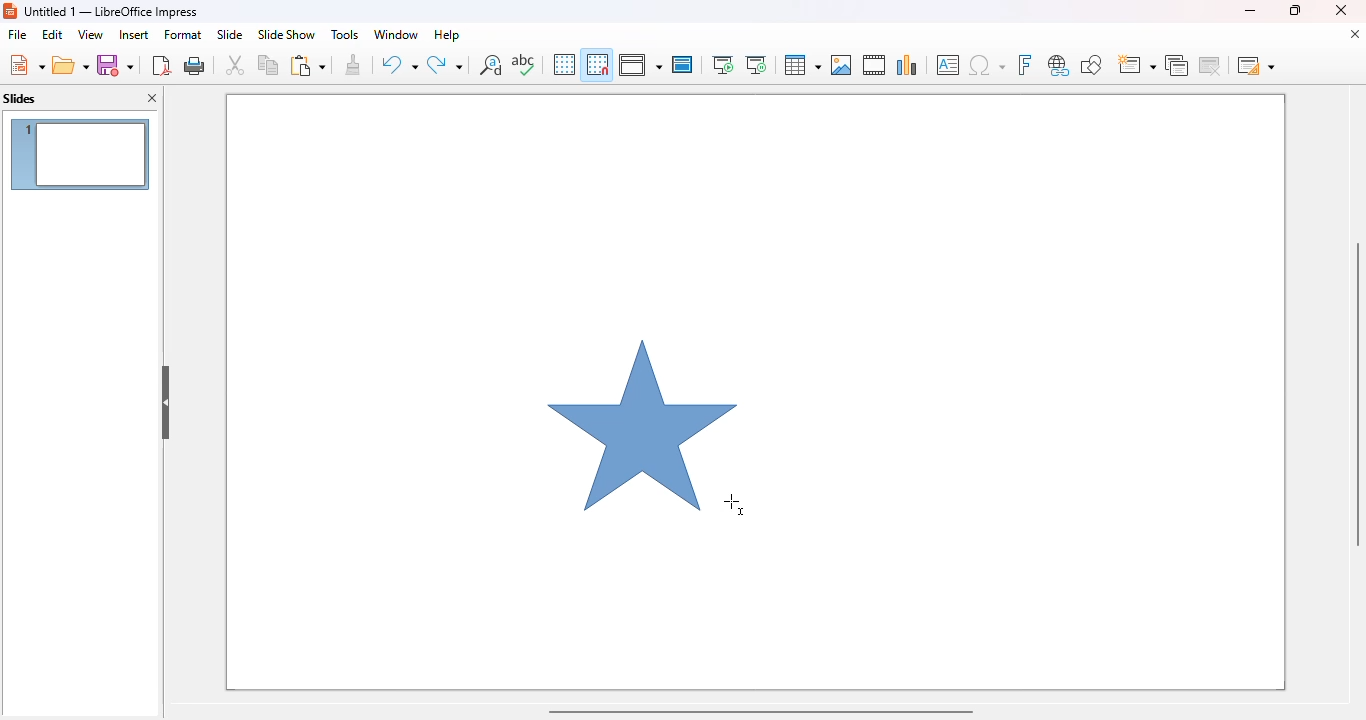  What do you see at coordinates (1213, 65) in the screenshot?
I see `delete slide` at bounding box center [1213, 65].